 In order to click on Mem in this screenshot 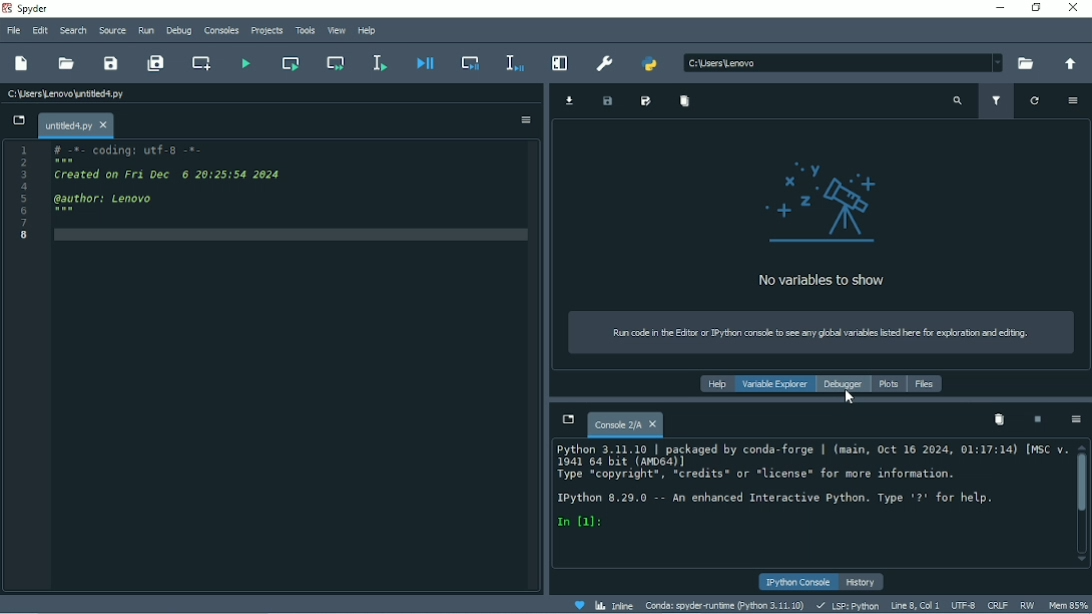, I will do `click(1067, 603)`.